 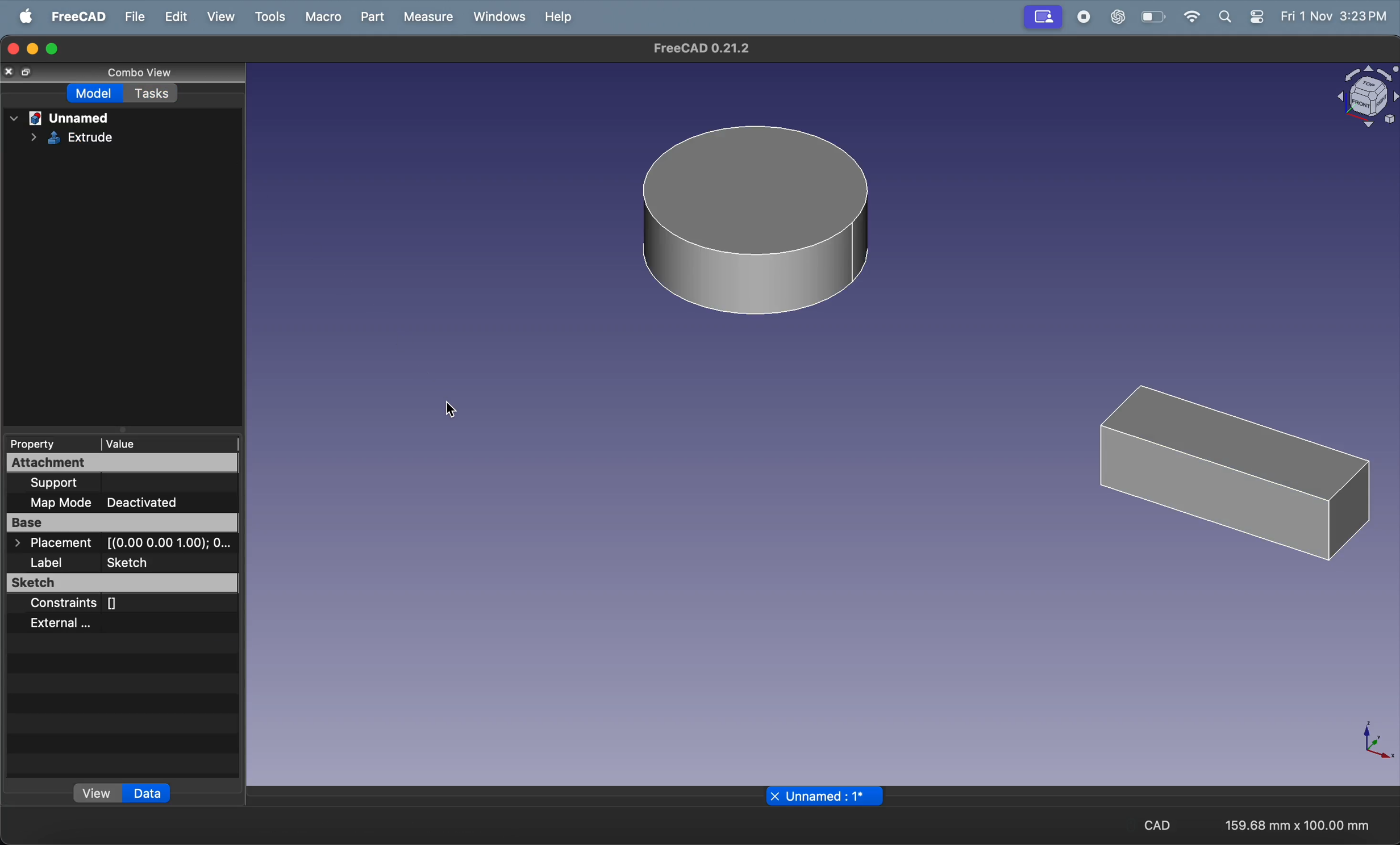 What do you see at coordinates (149, 793) in the screenshot?
I see `data` at bounding box center [149, 793].